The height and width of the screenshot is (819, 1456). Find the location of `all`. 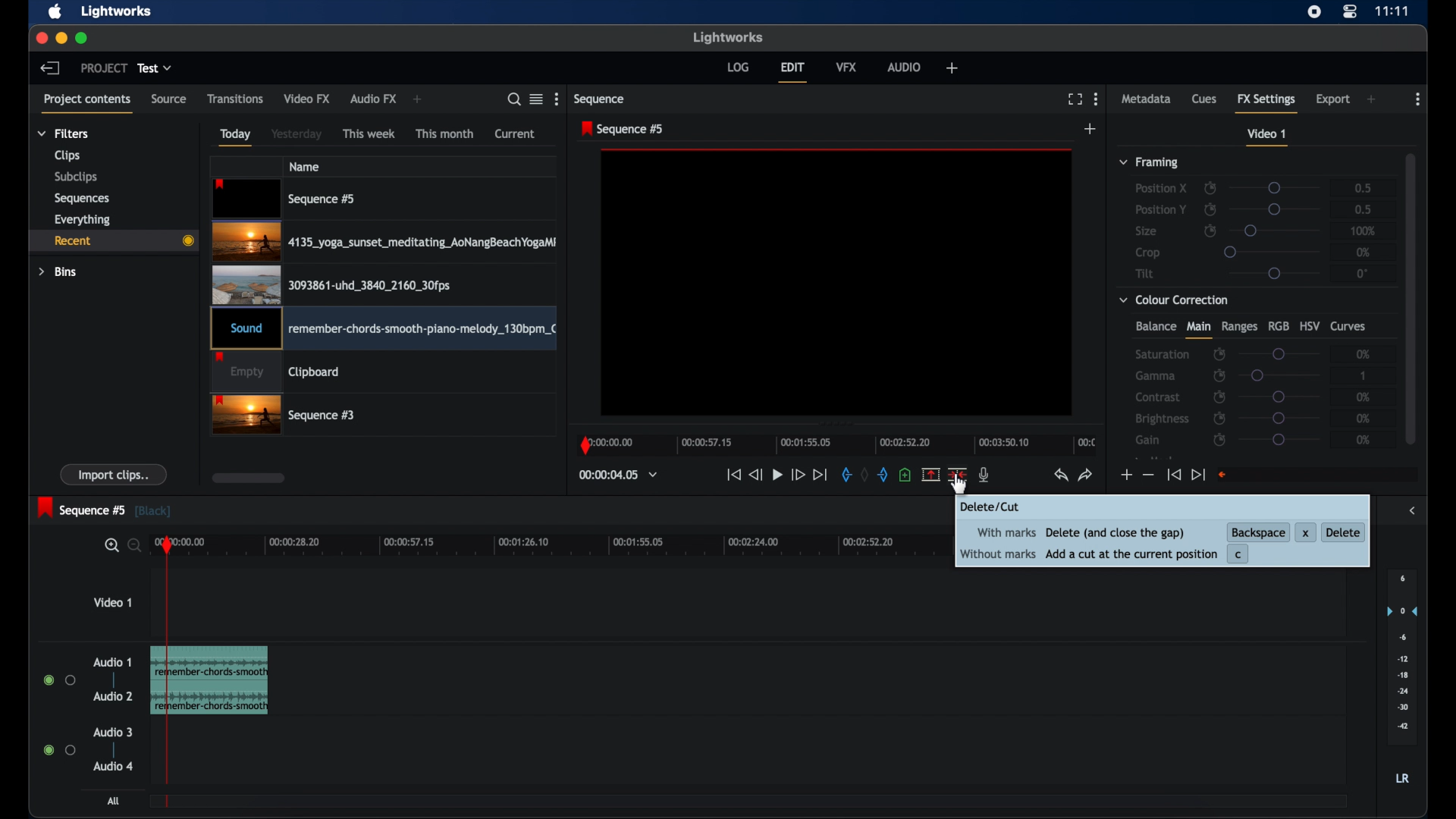

all is located at coordinates (114, 801).